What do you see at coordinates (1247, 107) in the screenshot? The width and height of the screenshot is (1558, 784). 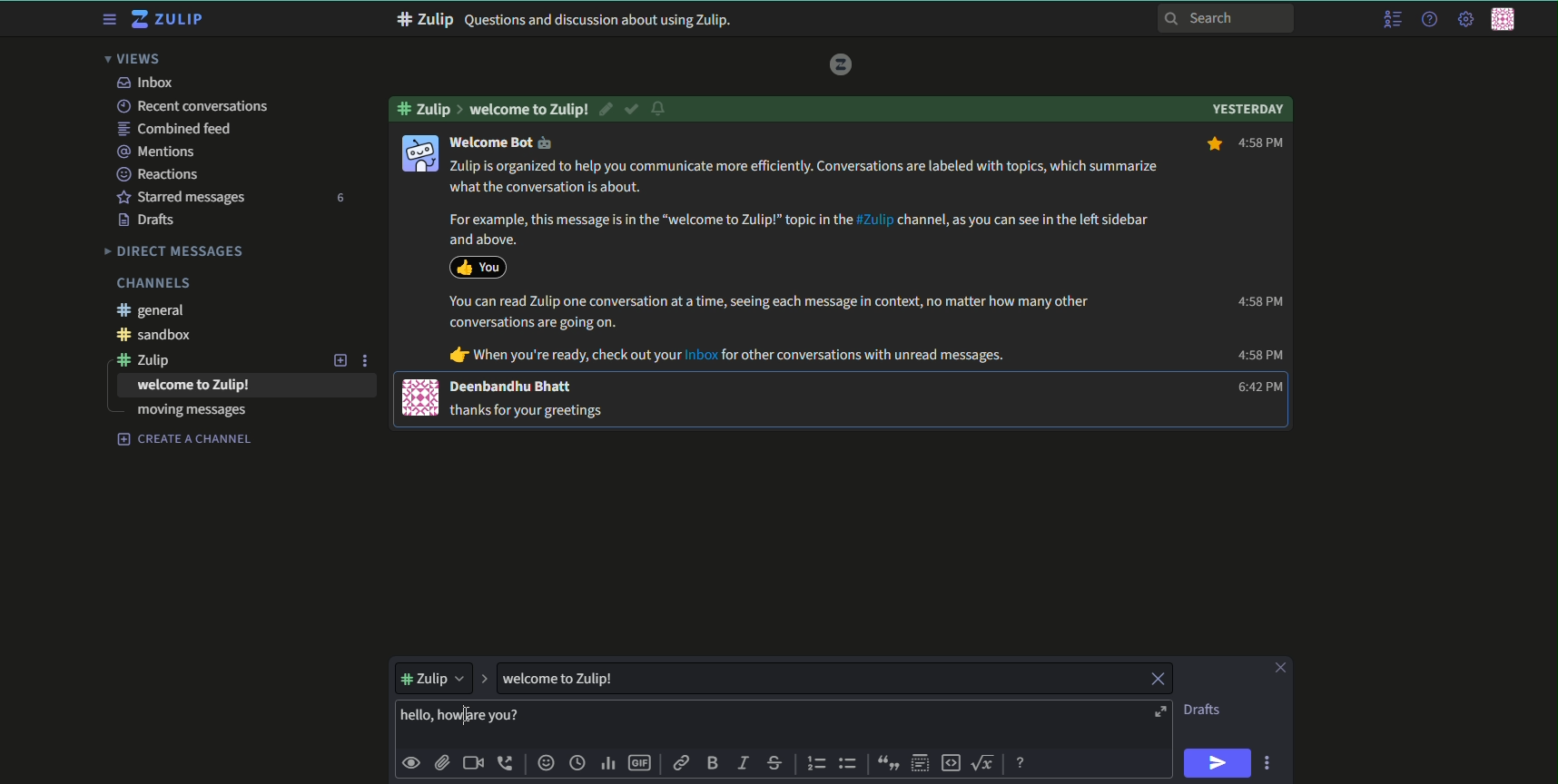 I see `Yesterday` at bounding box center [1247, 107].